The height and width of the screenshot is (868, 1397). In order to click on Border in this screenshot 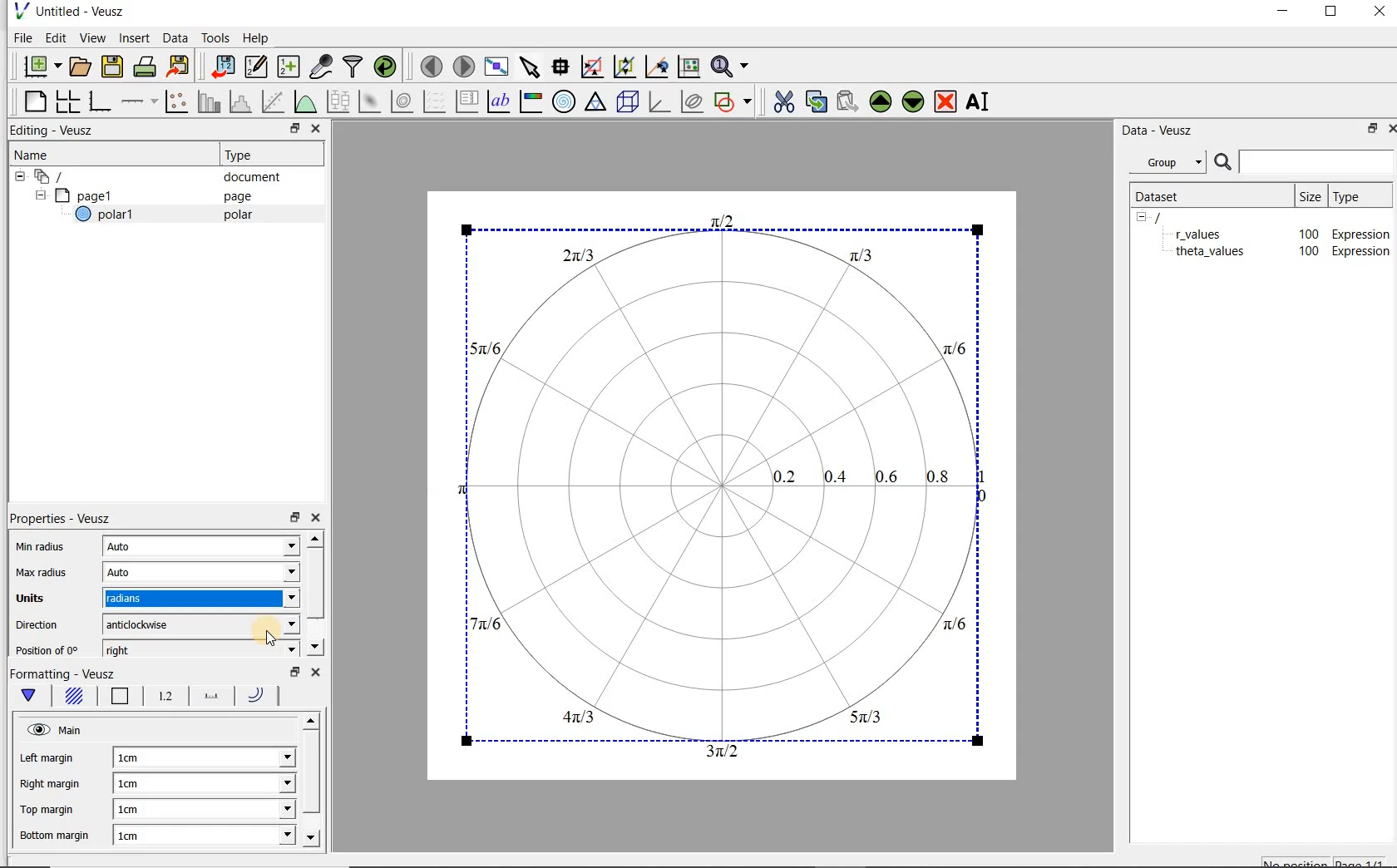, I will do `click(123, 696)`.